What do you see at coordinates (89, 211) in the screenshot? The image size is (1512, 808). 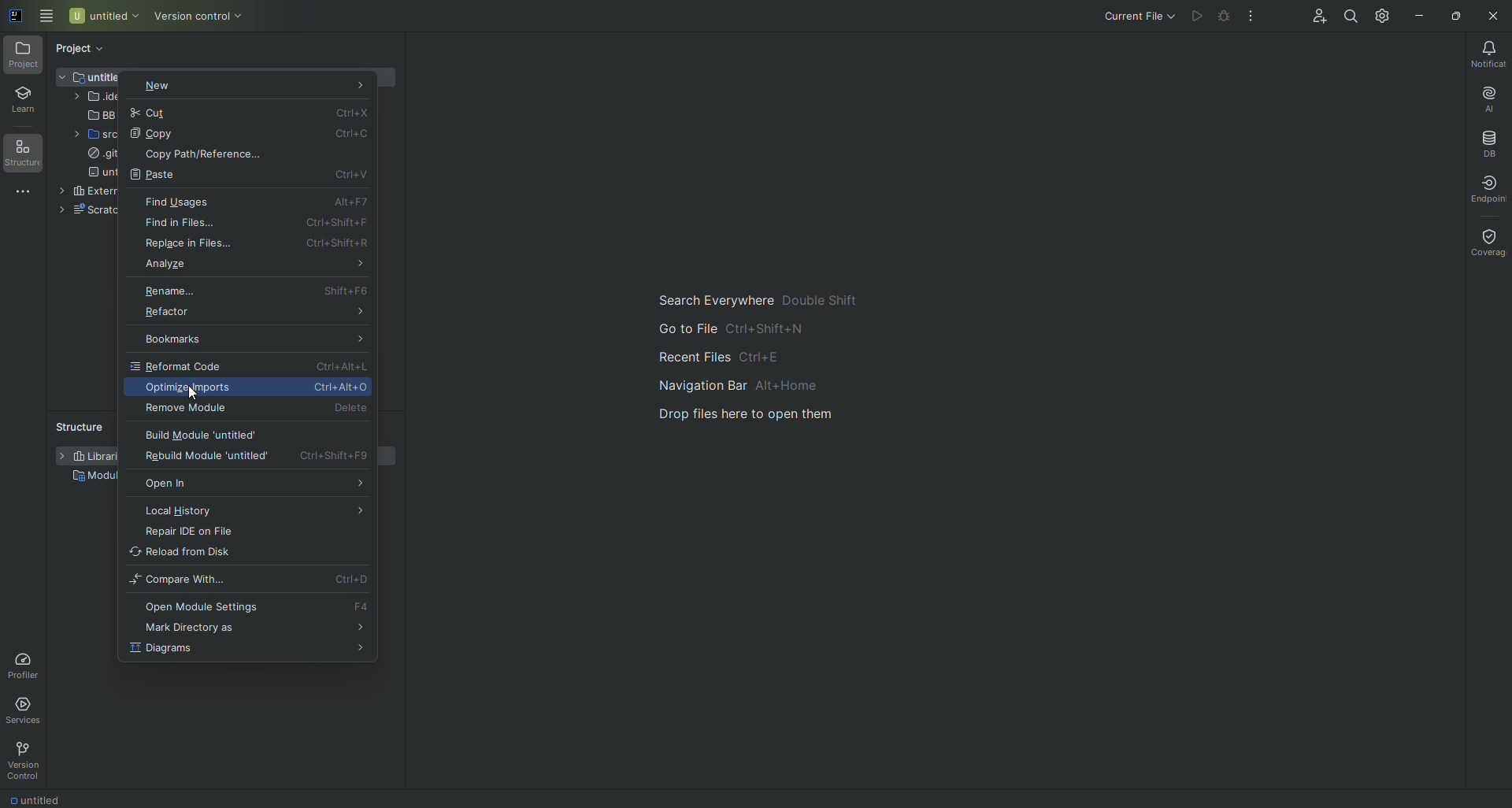 I see `Scratches and Console` at bounding box center [89, 211].